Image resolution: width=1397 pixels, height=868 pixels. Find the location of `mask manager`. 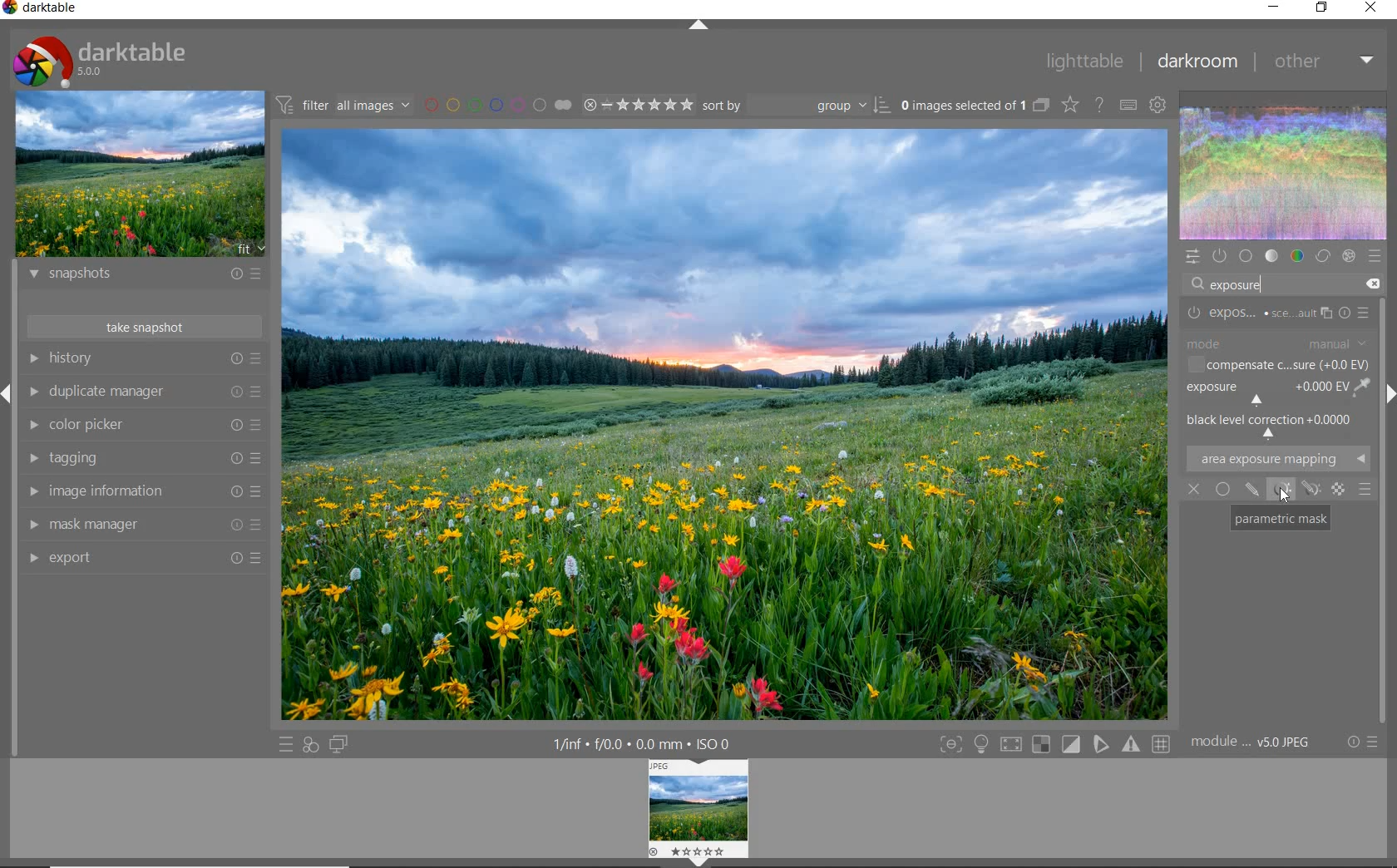

mask manager is located at coordinates (142, 525).